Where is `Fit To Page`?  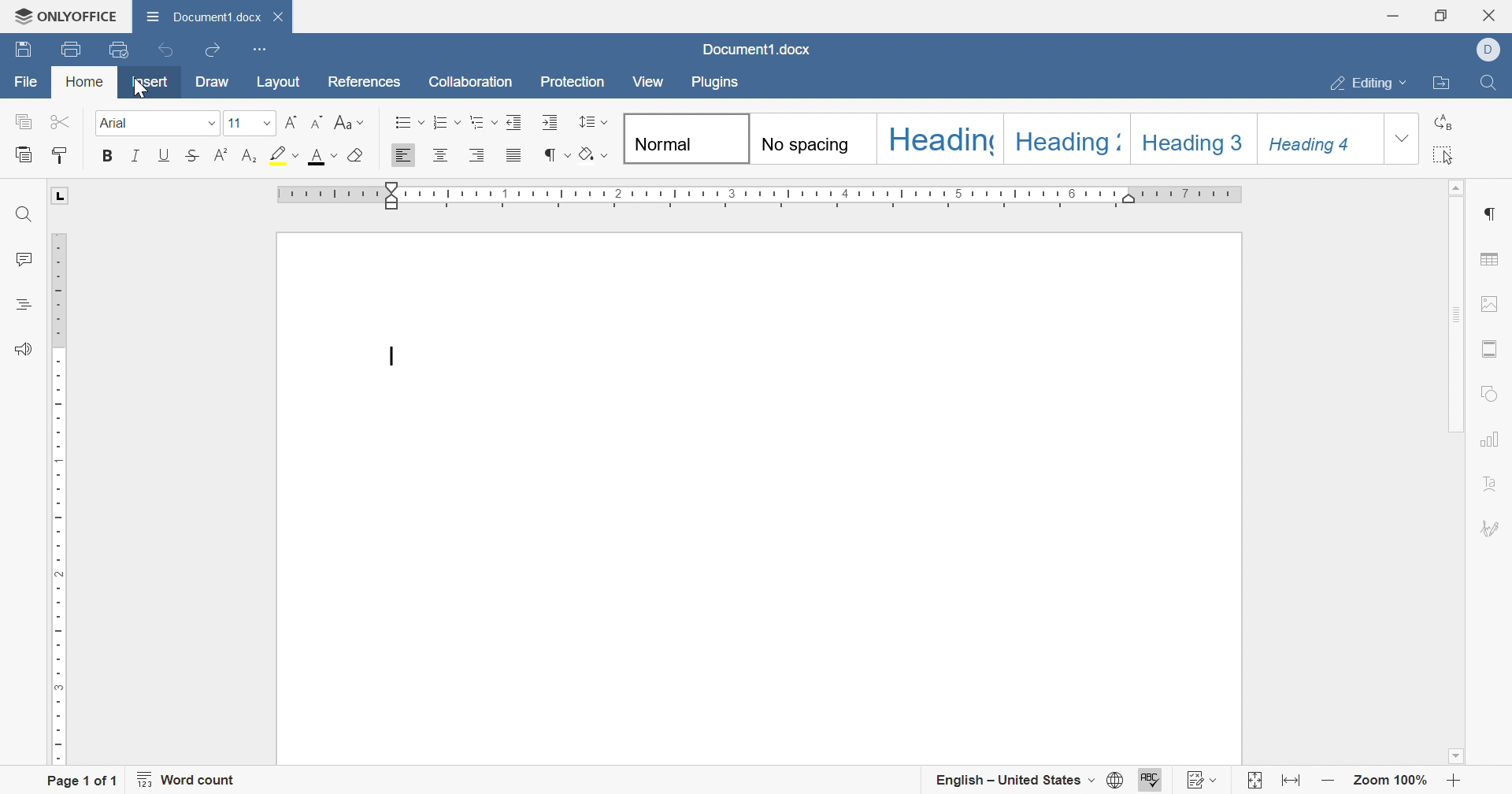 Fit To Page is located at coordinates (1251, 779).